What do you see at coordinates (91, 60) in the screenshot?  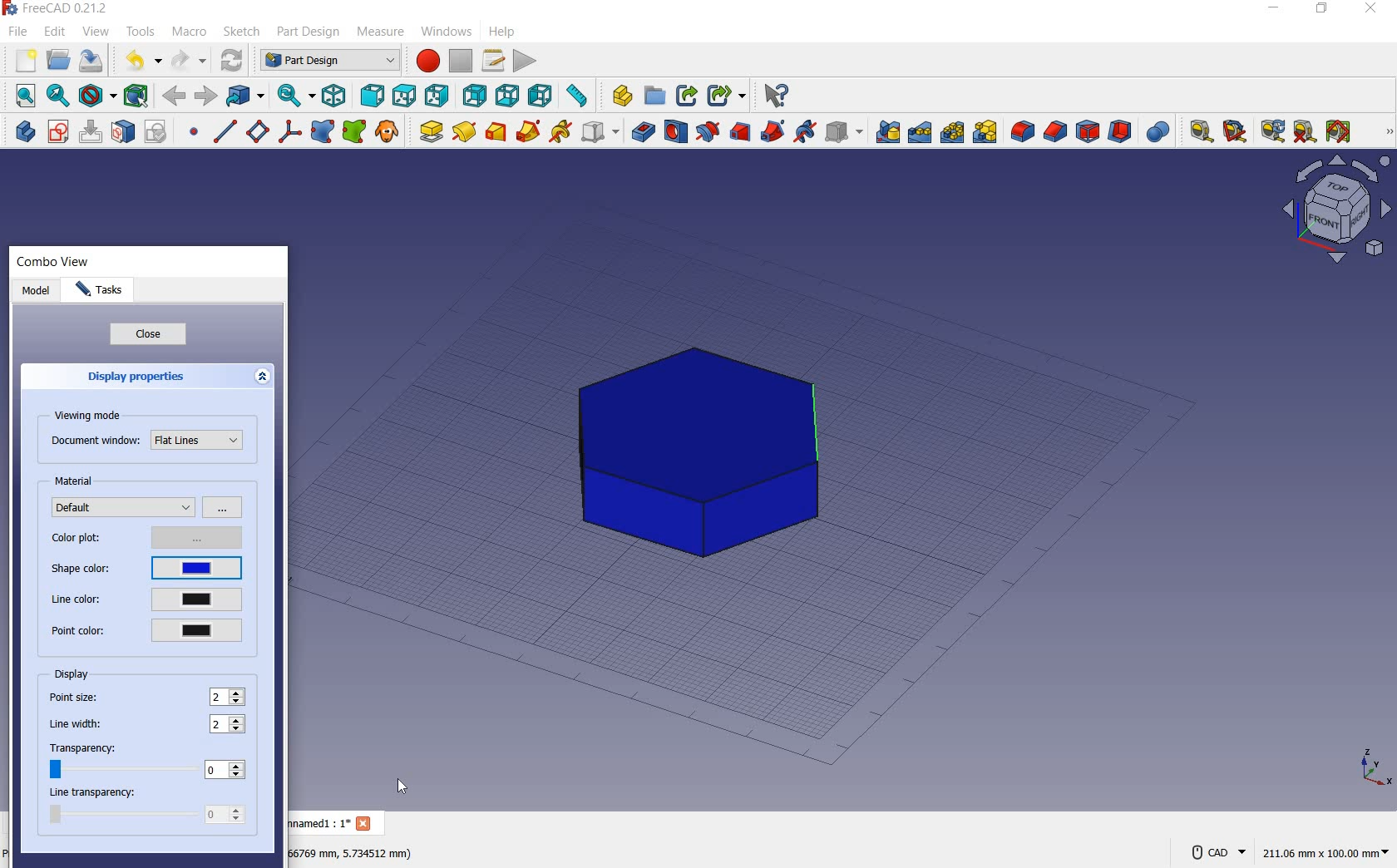 I see `save` at bounding box center [91, 60].